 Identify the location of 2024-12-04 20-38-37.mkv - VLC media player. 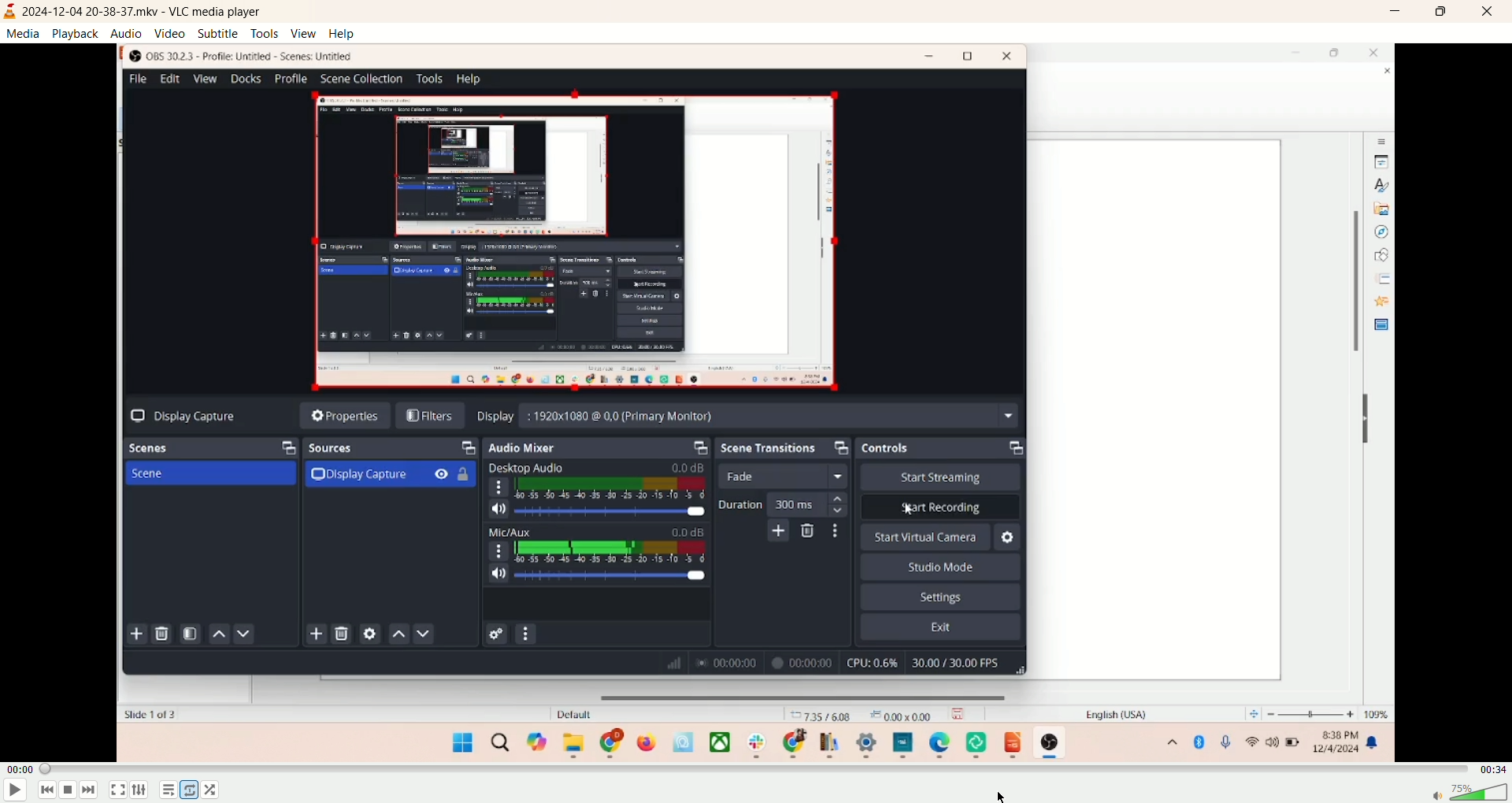
(145, 12).